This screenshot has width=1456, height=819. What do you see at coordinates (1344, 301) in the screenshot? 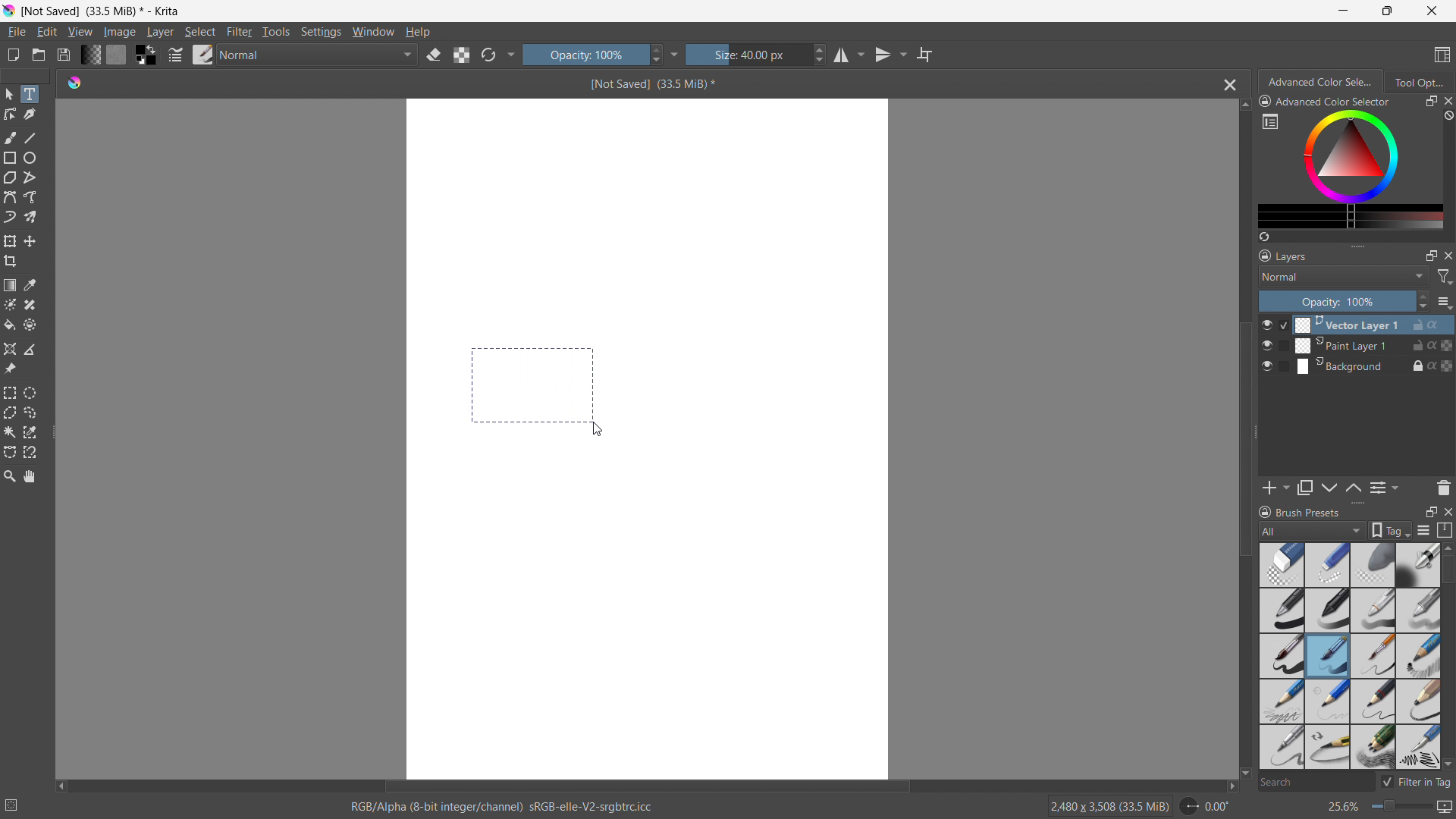
I see `opacity control` at bounding box center [1344, 301].